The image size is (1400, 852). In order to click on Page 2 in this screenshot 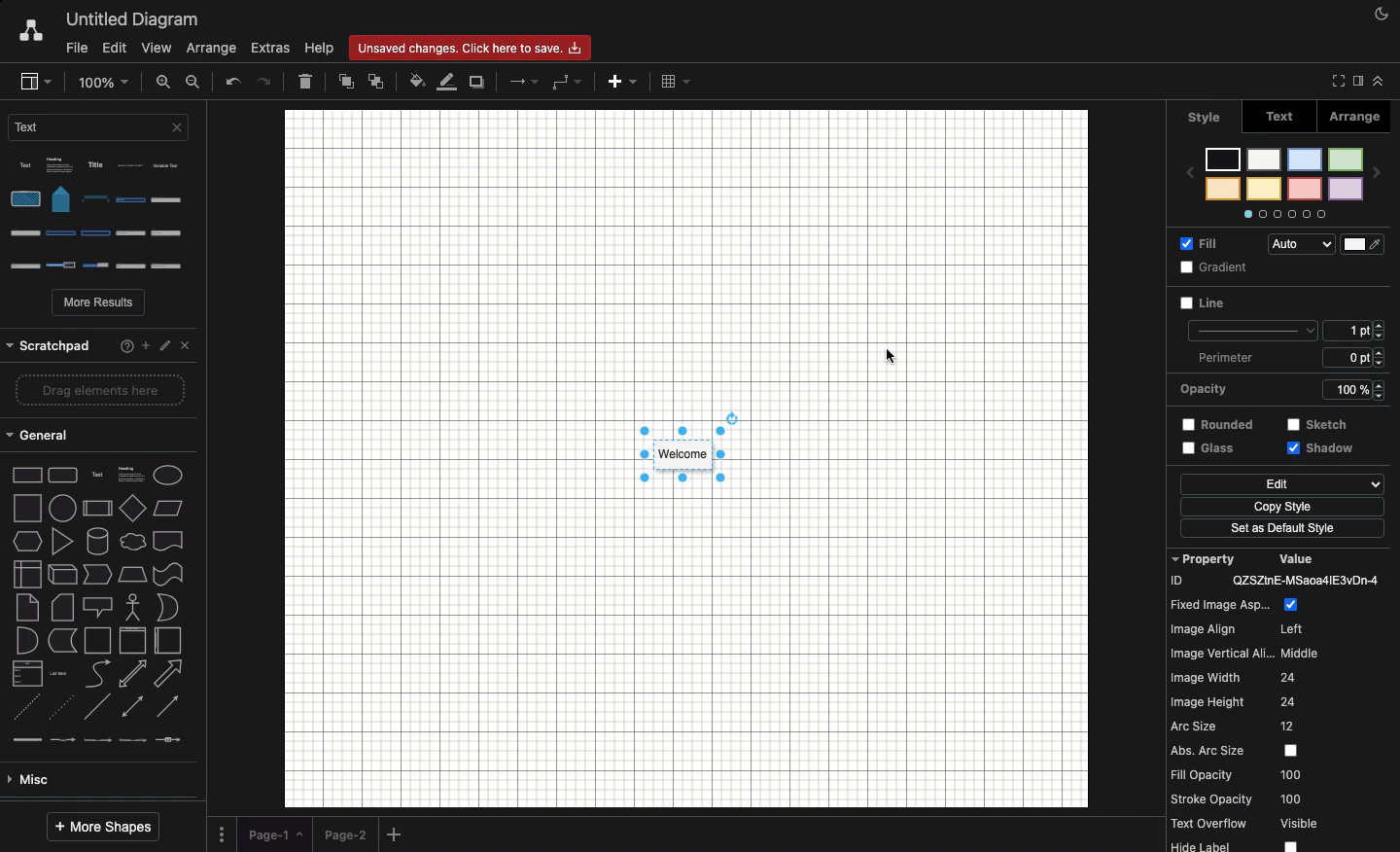, I will do `click(344, 834)`.